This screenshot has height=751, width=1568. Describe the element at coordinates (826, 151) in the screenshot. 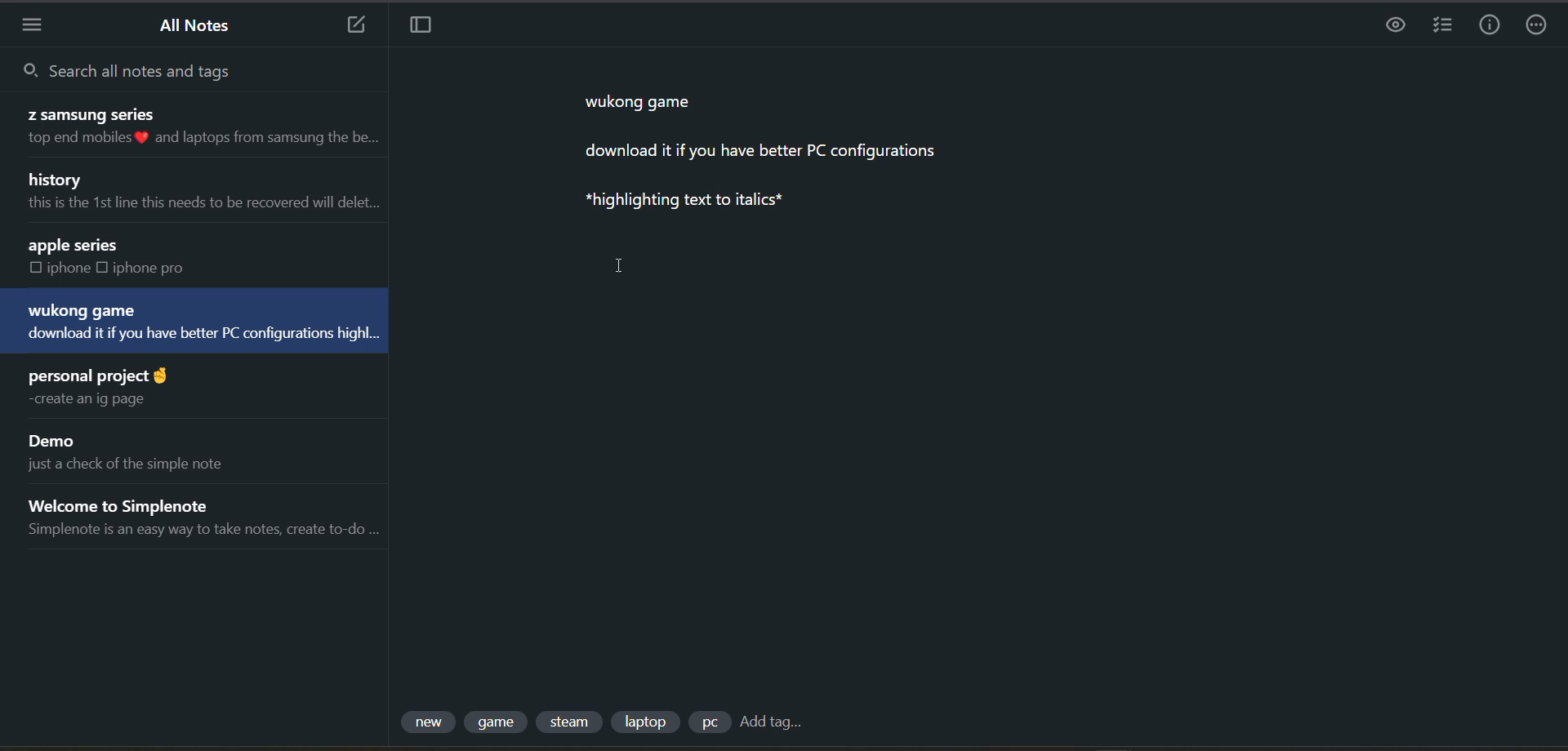

I see `data from current note` at that location.